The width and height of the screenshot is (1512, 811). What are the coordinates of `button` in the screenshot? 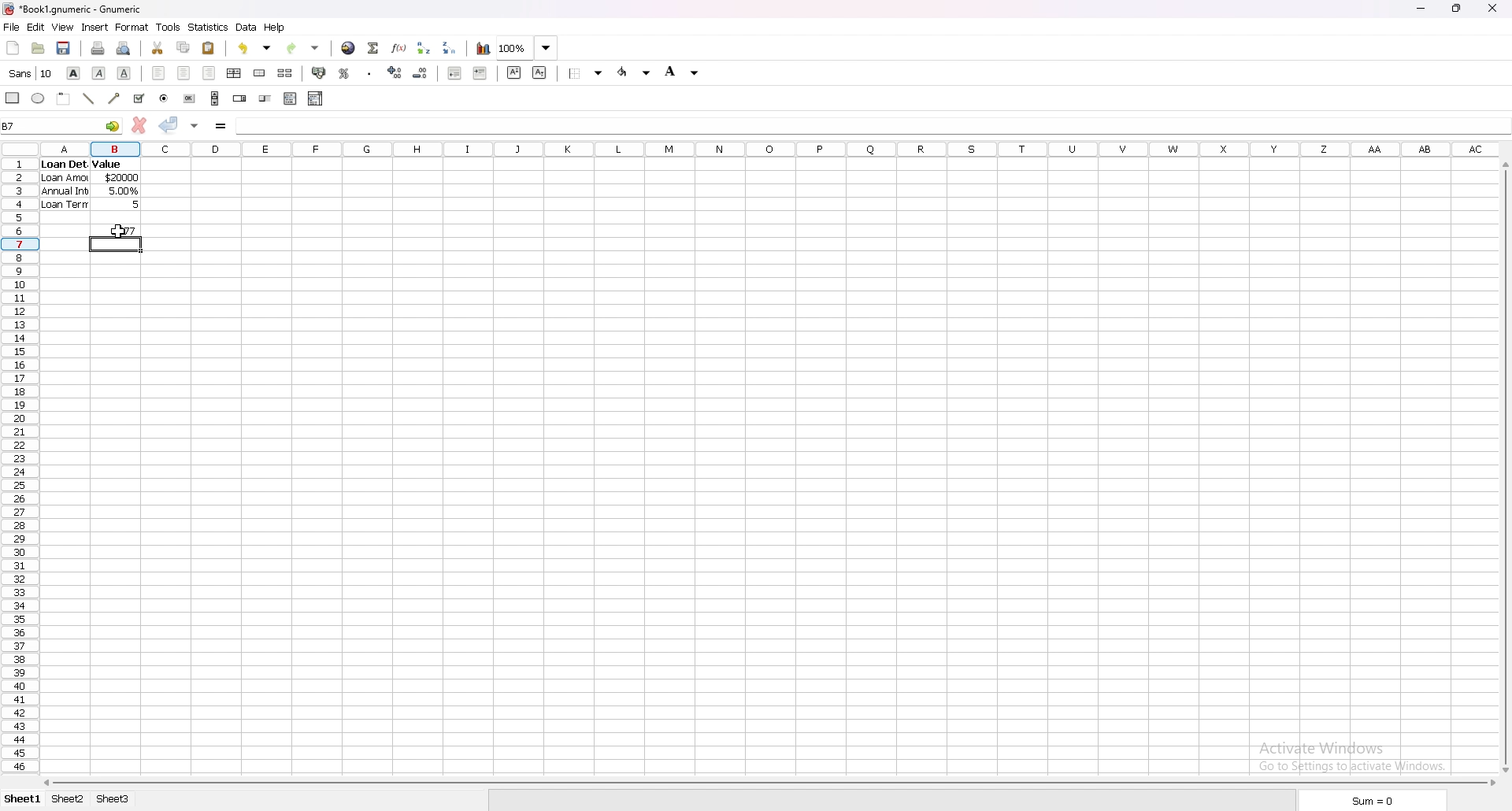 It's located at (188, 98).